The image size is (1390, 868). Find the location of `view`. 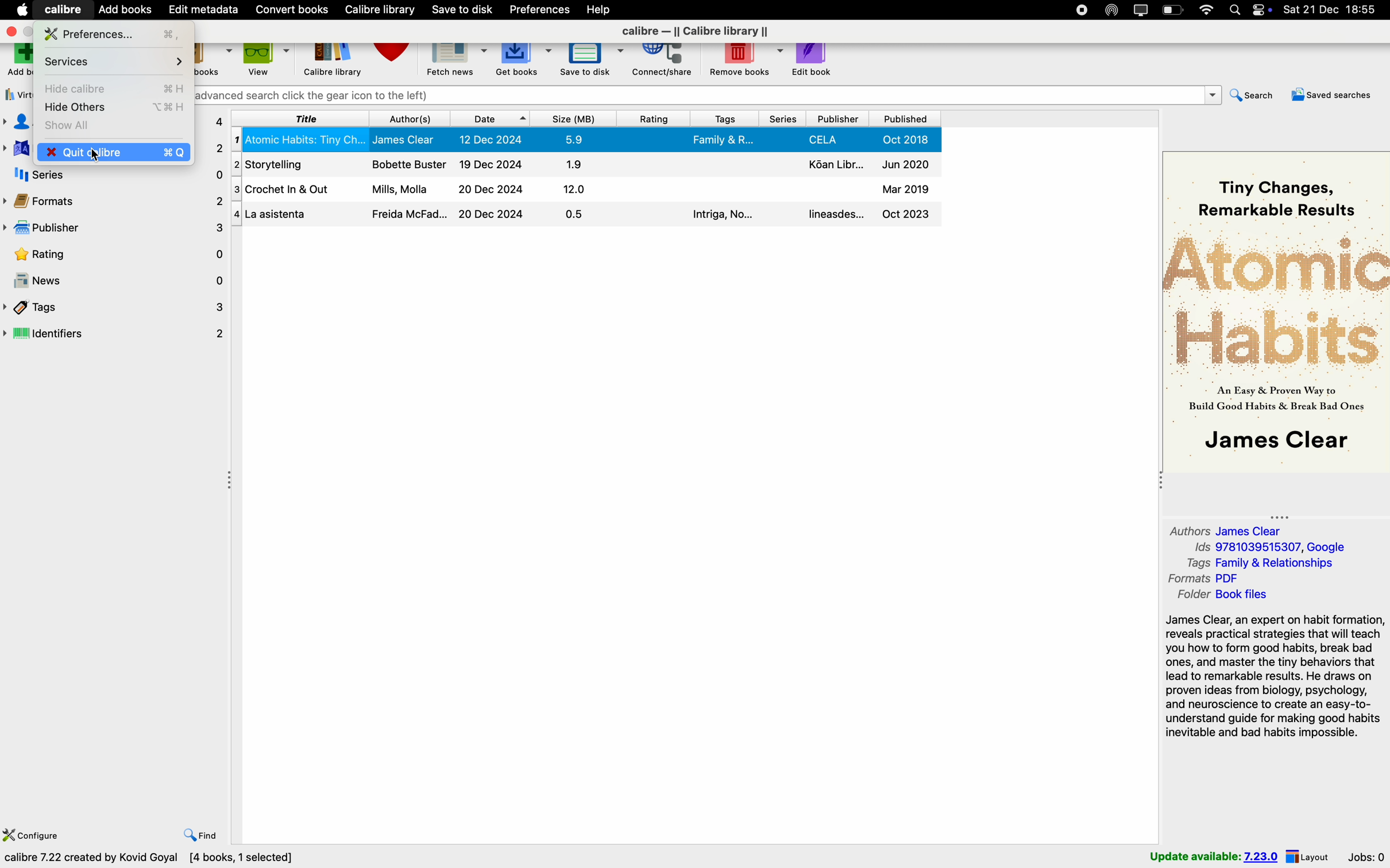

view is located at coordinates (268, 61).